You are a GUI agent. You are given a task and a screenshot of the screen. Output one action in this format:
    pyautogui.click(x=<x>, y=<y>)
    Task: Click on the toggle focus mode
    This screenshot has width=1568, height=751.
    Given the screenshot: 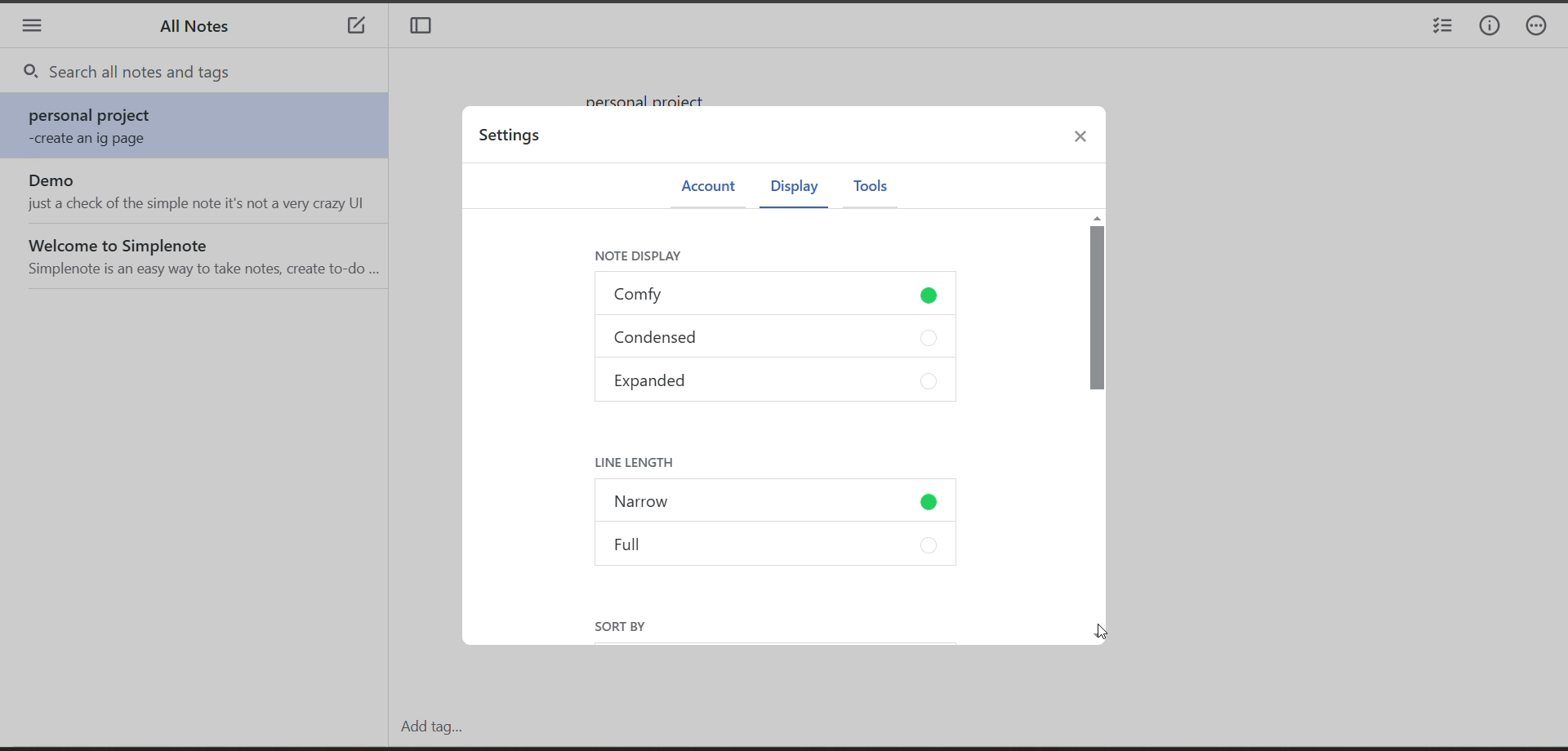 What is the action you would take?
    pyautogui.click(x=426, y=28)
    